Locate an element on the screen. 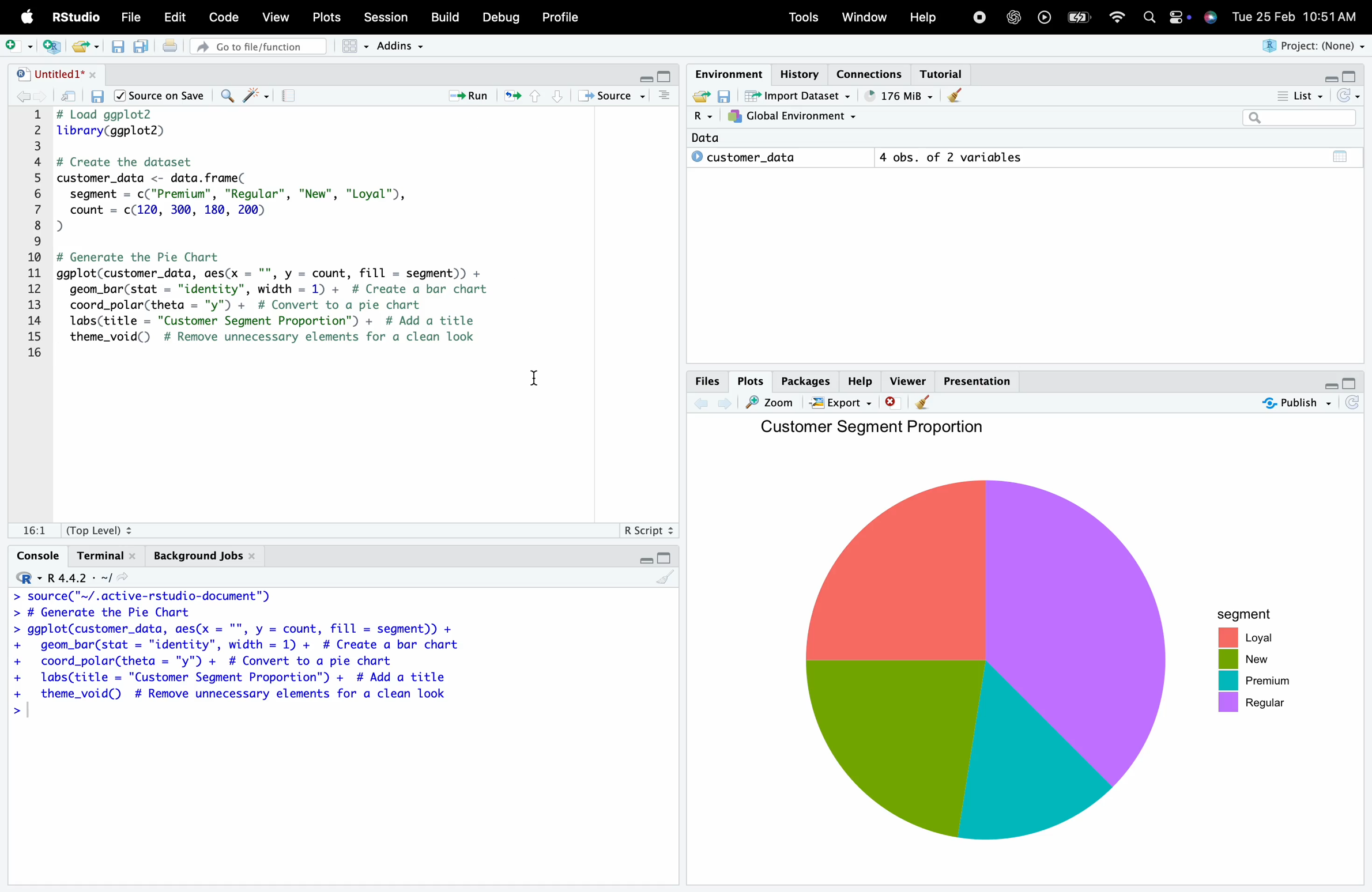 This screenshot has width=1372, height=892. total is located at coordinates (1335, 156).